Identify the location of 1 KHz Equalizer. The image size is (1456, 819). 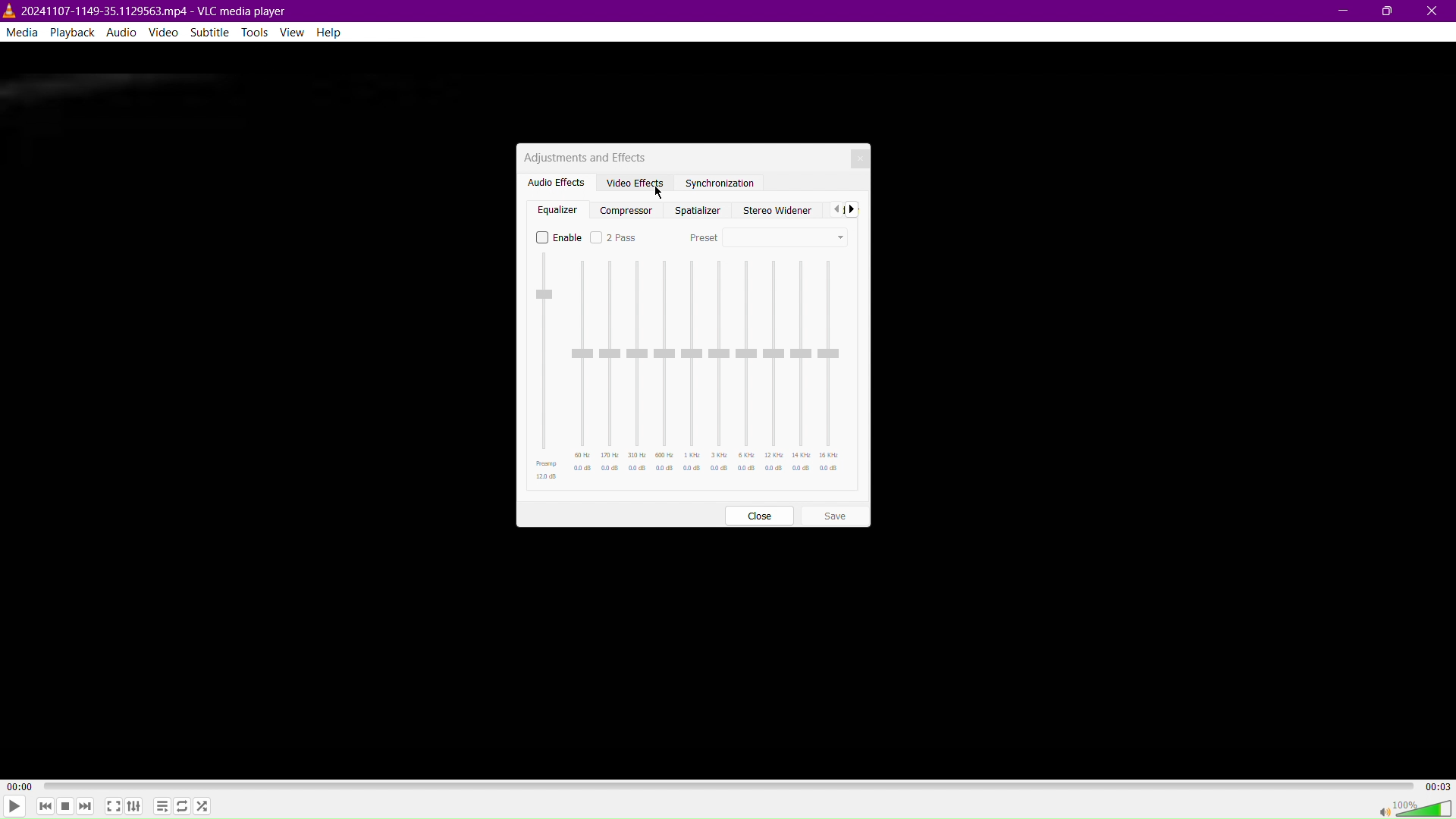
(692, 369).